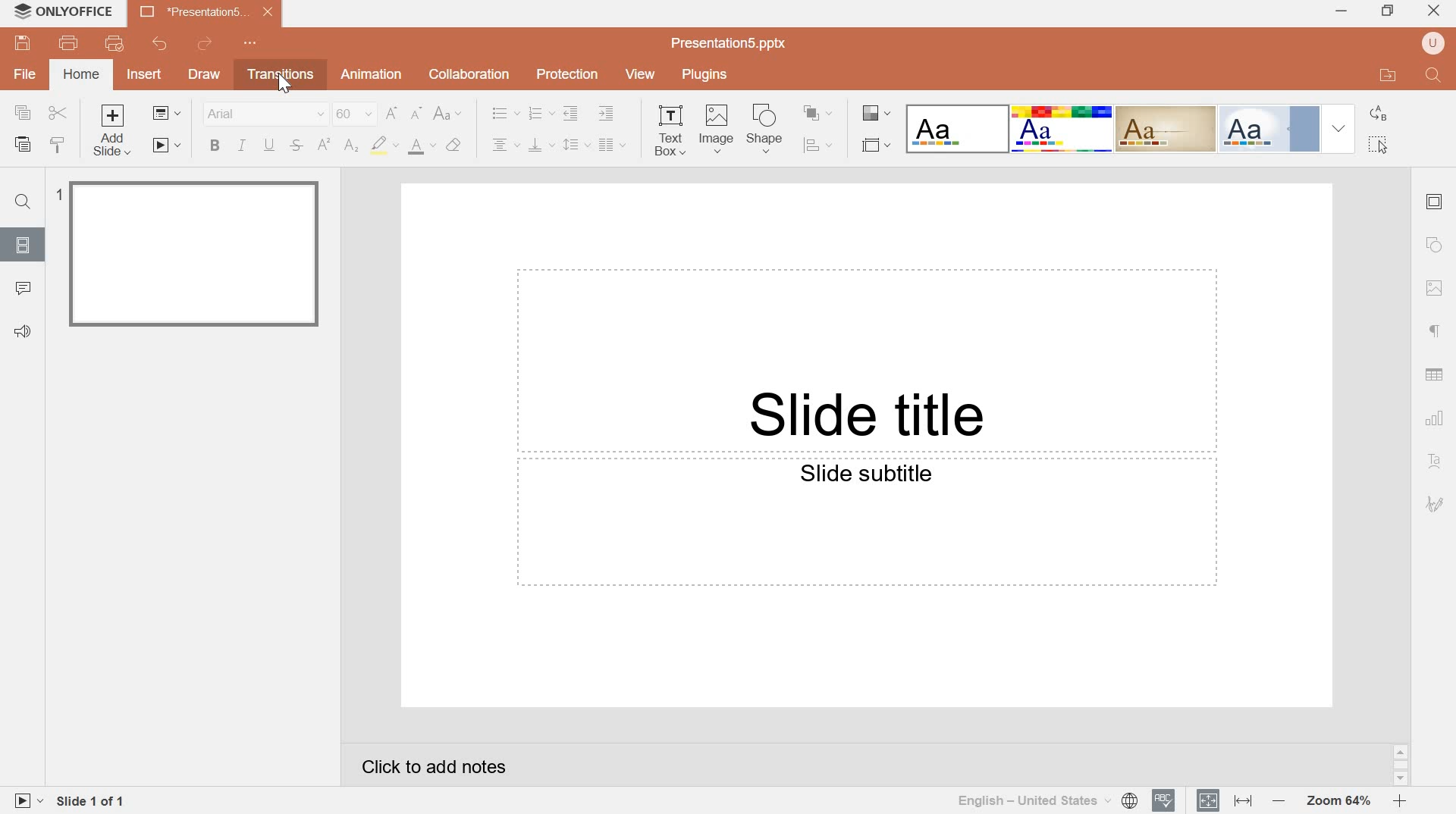 Image resolution: width=1456 pixels, height=814 pixels. I want to click on select document language, so click(1047, 800).